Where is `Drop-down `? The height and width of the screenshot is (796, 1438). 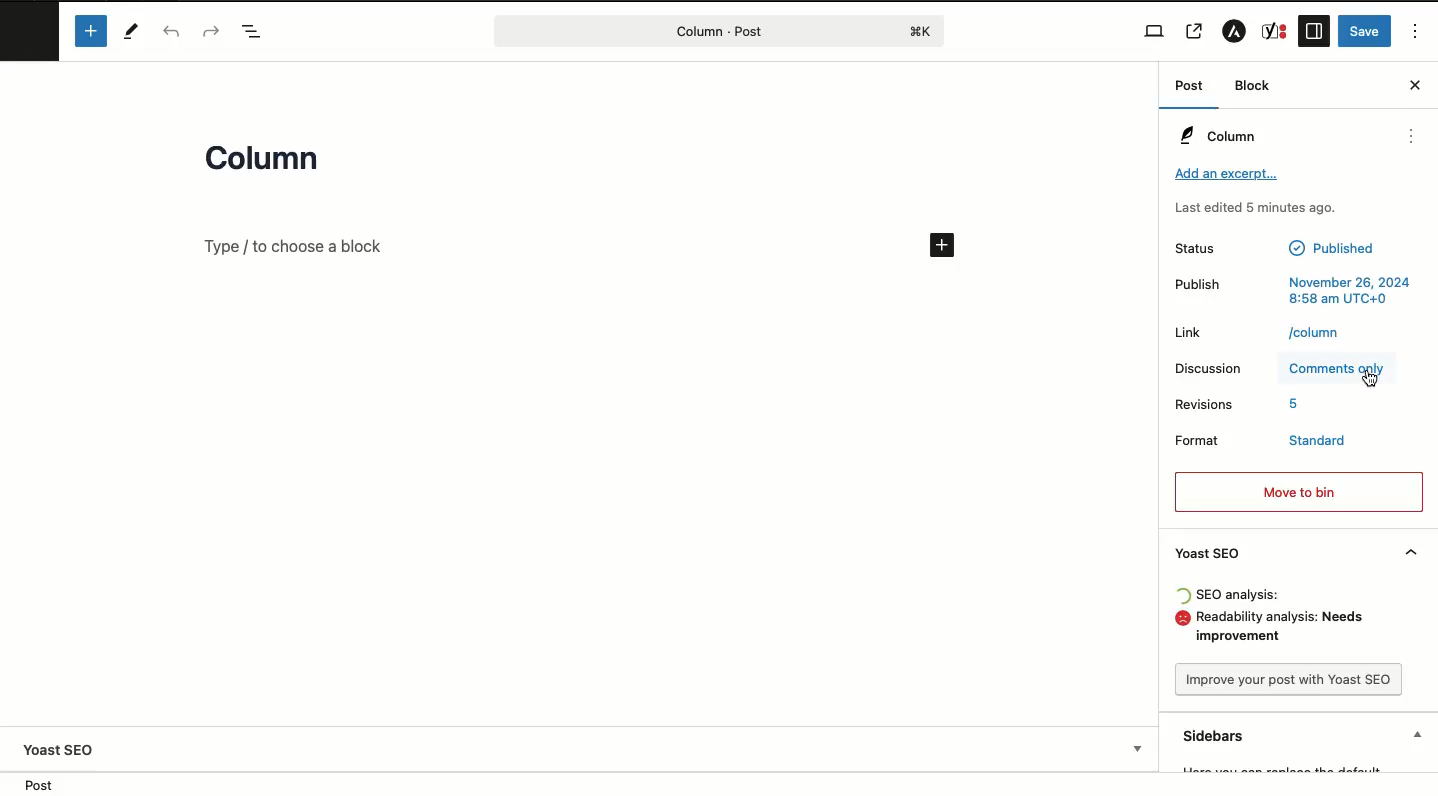
Drop-down  is located at coordinates (1140, 748).